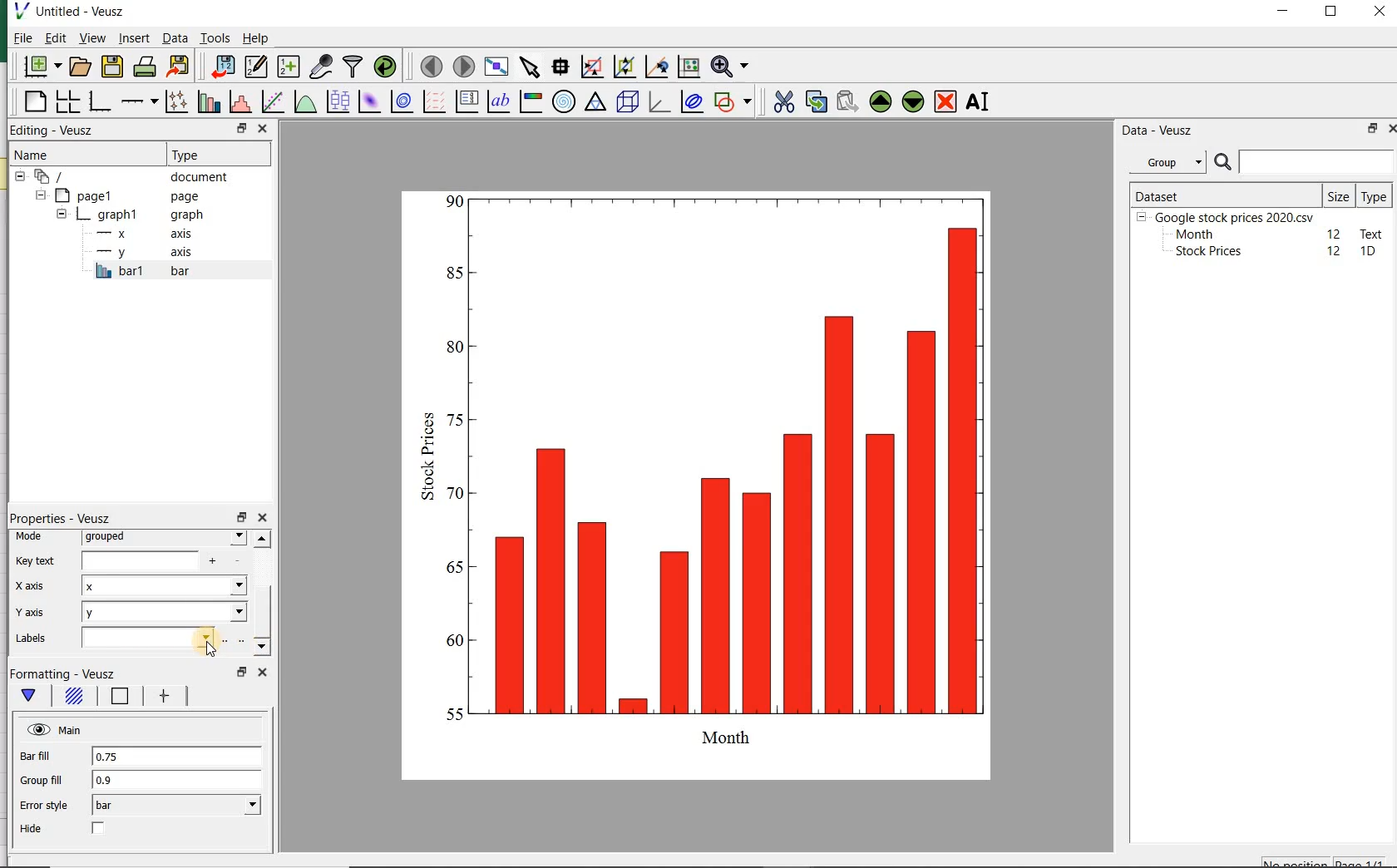  I want to click on page1, so click(121, 196).